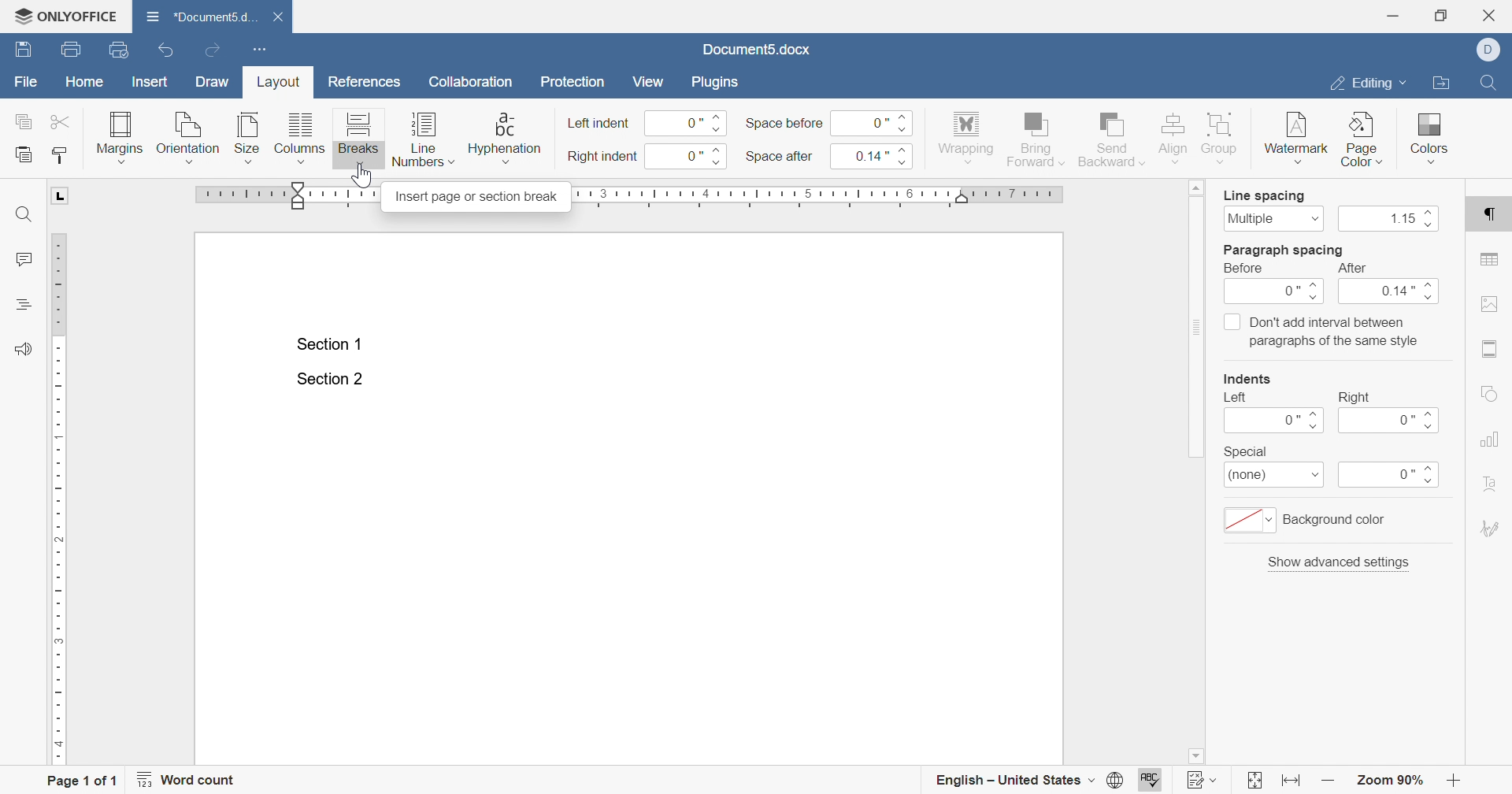 Image resolution: width=1512 pixels, height=794 pixels. I want to click on paragraph settings, so click(1491, 217).